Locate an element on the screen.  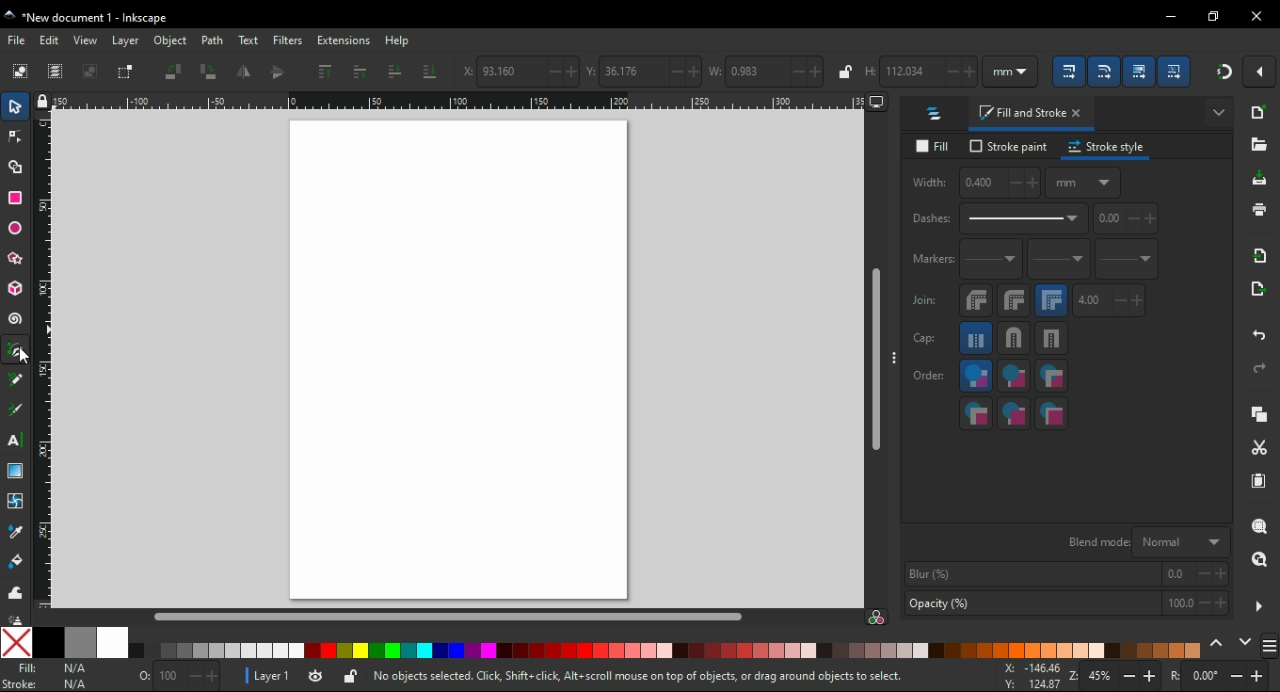
lower to bottom is located at coordinates (430, 72).